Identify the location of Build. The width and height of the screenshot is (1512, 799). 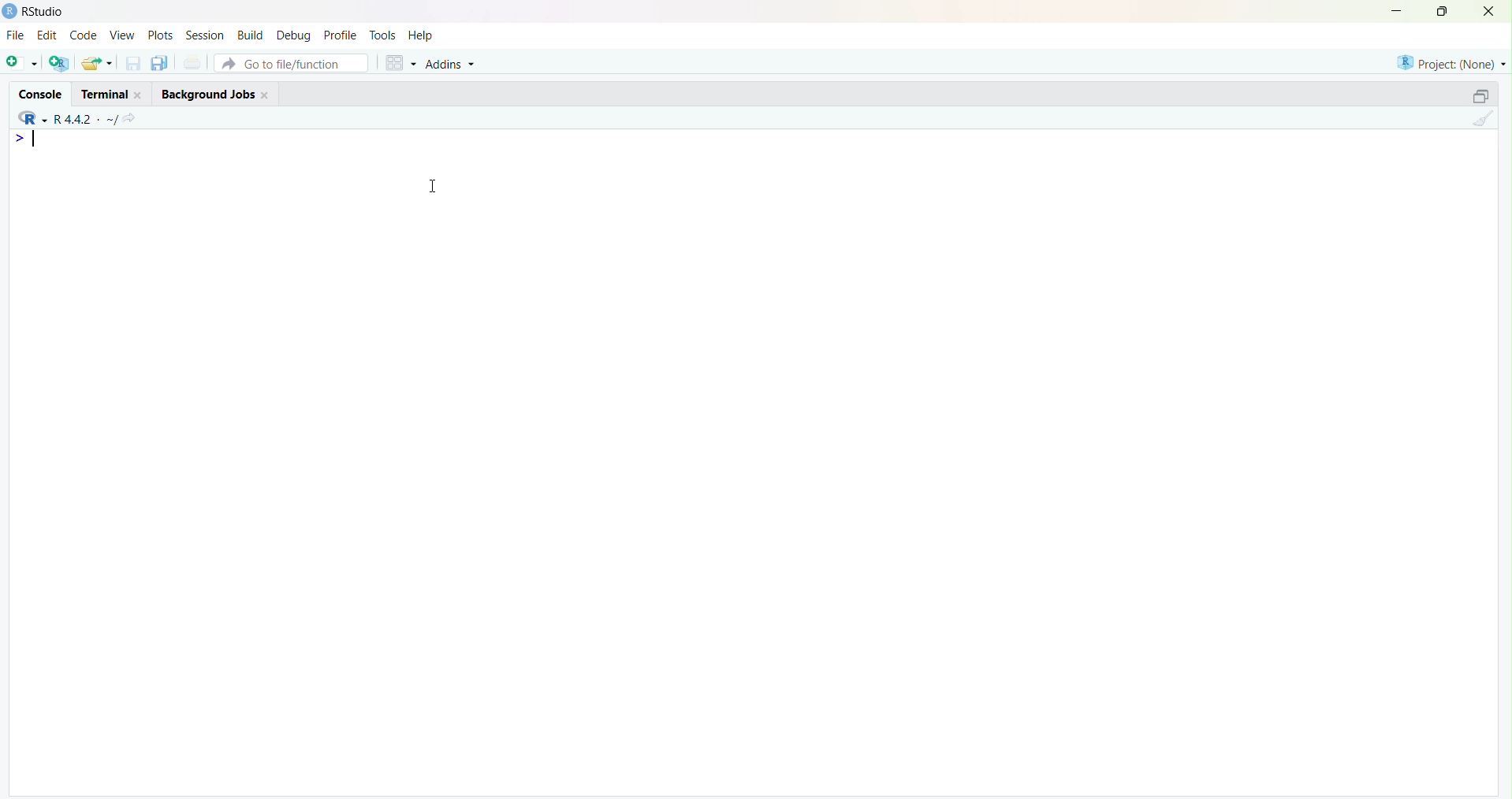
(252, 34).